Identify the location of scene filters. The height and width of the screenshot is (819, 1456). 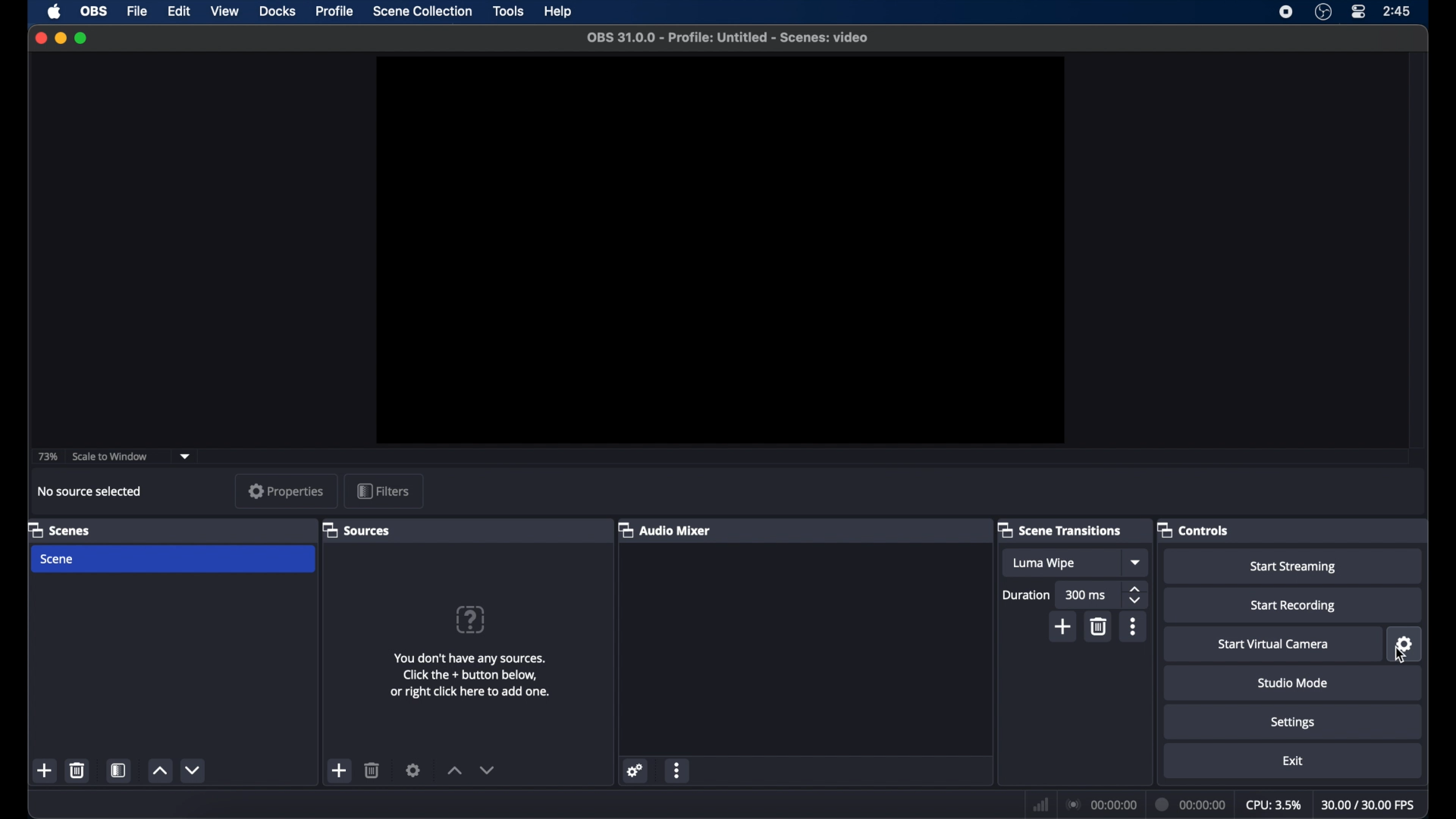
(119, 770).